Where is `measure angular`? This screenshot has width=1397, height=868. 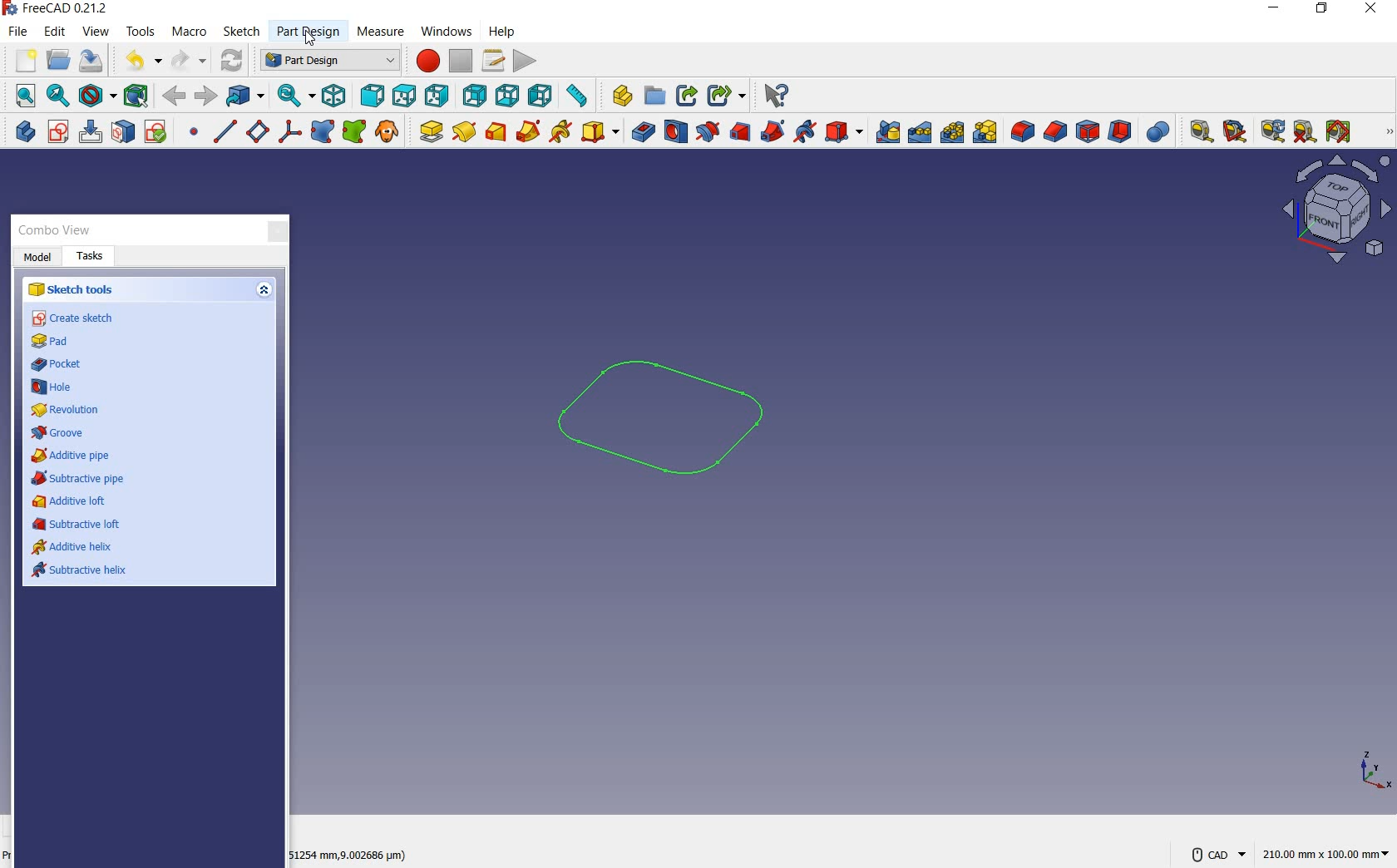 measure angular is located at coordinates (1236, 131).